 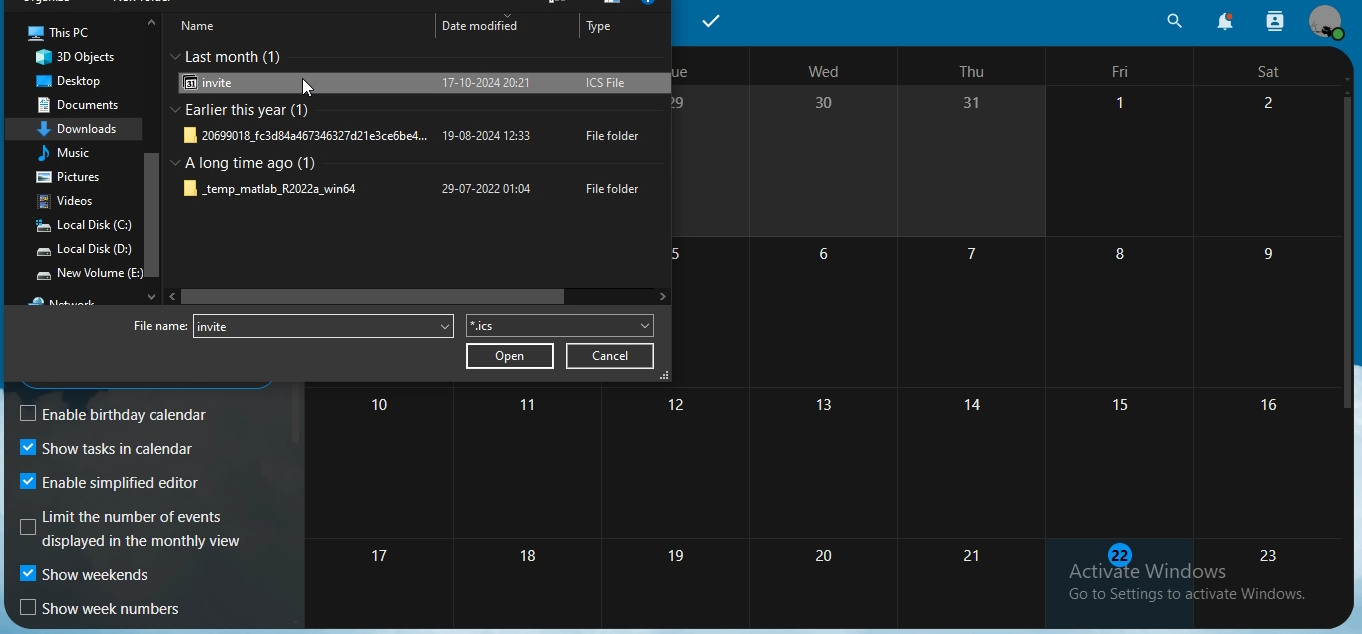 I want to click on scrollbar, so click(x=415, y=297).